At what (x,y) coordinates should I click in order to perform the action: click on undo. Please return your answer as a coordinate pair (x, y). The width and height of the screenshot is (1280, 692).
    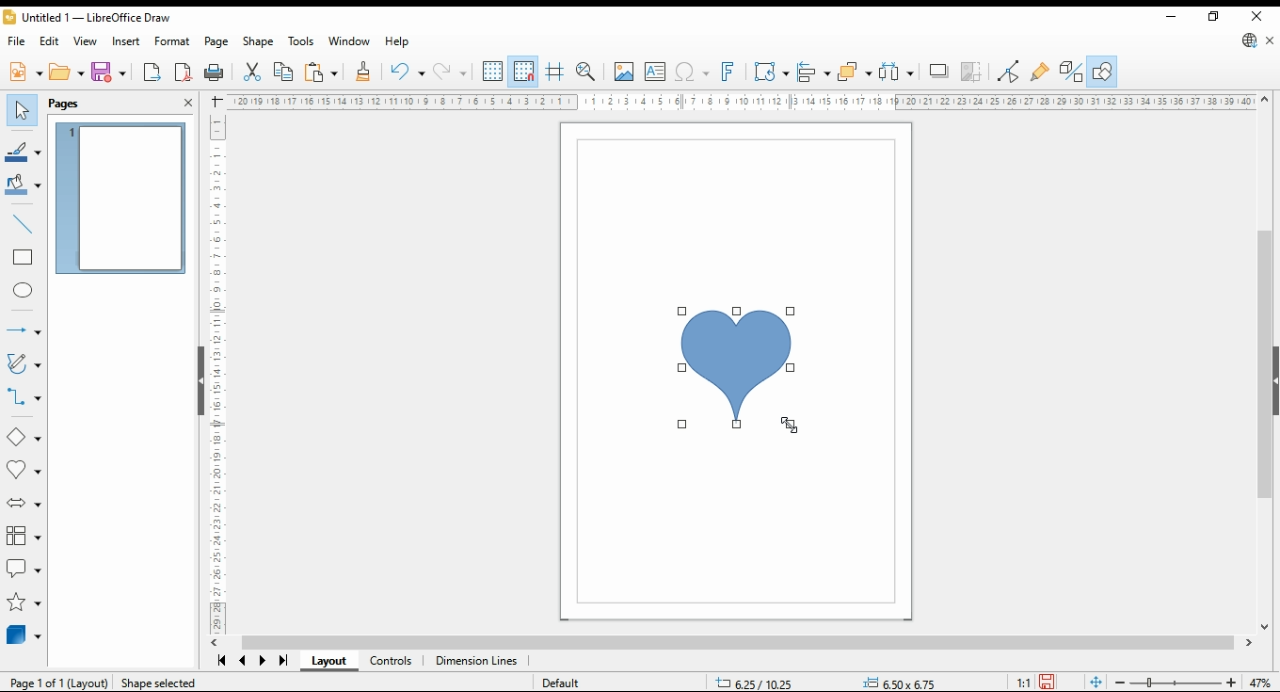
    Looking at the image, I should click on (405, 70).